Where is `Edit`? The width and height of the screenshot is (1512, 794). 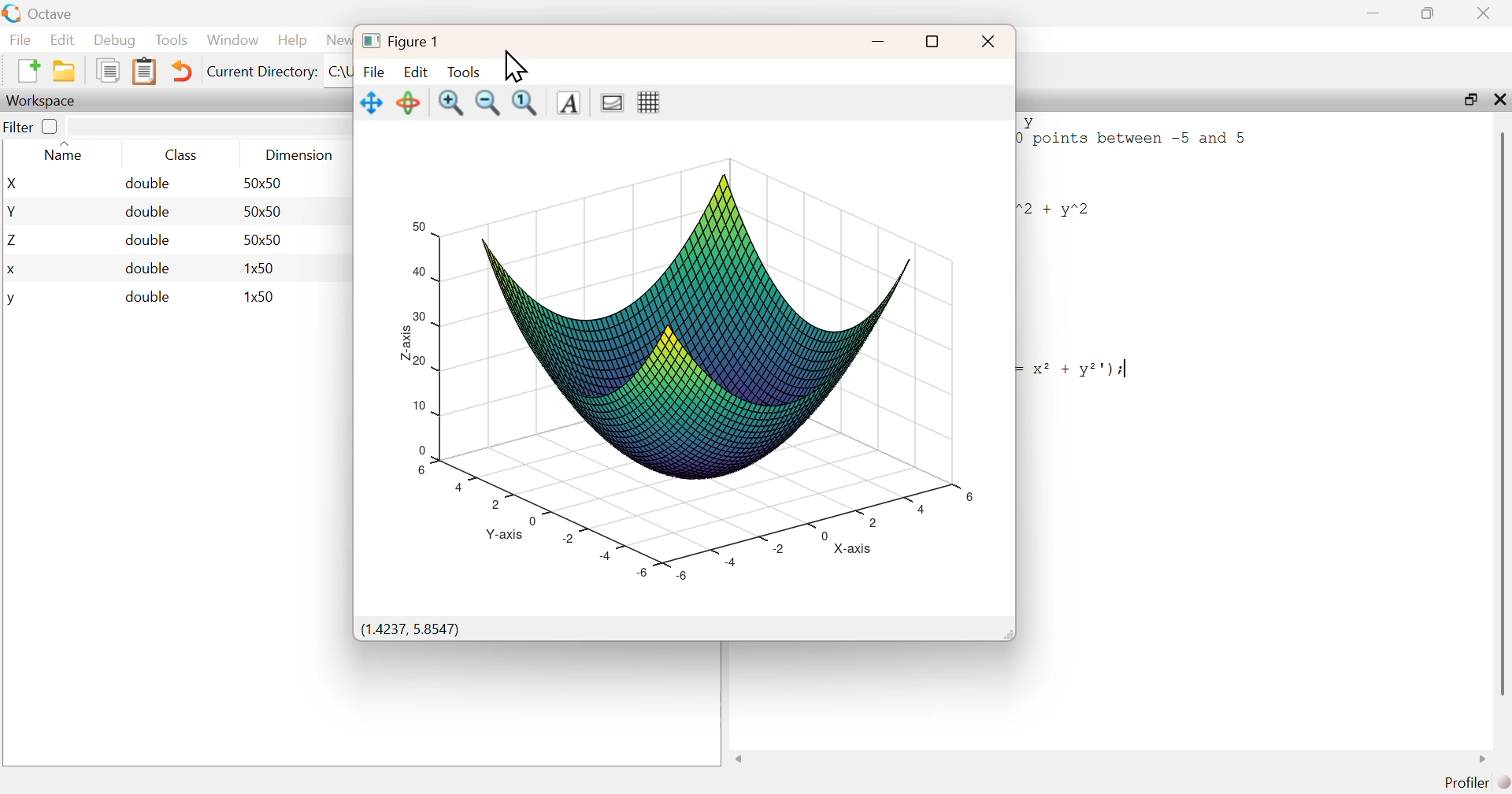
Edit is located at coordinates (61, 39).